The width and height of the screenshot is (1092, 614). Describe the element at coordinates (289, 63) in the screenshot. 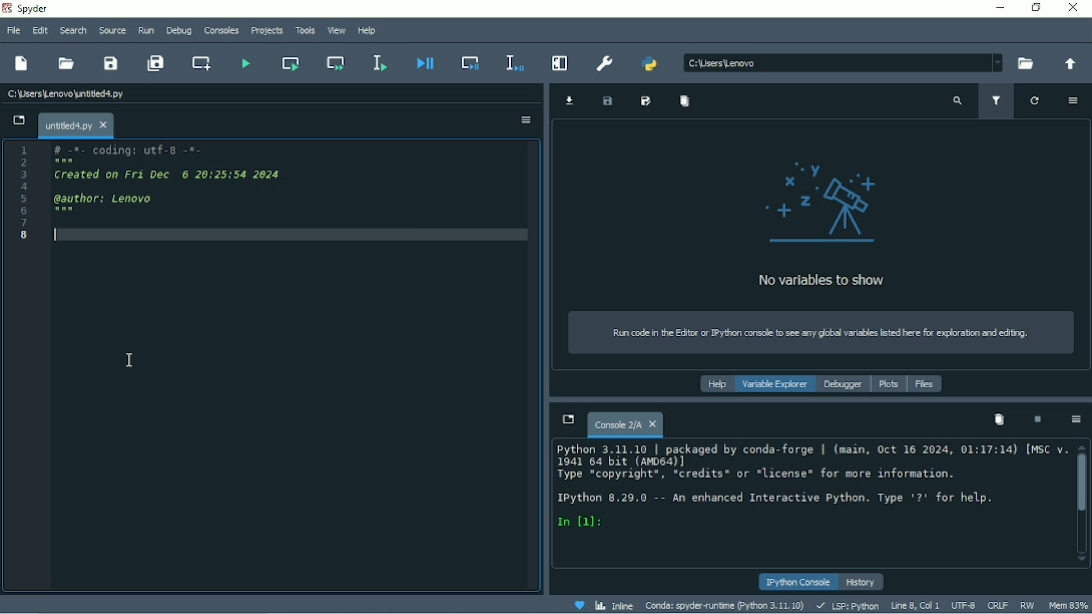

I see `Run current cell` at that location.